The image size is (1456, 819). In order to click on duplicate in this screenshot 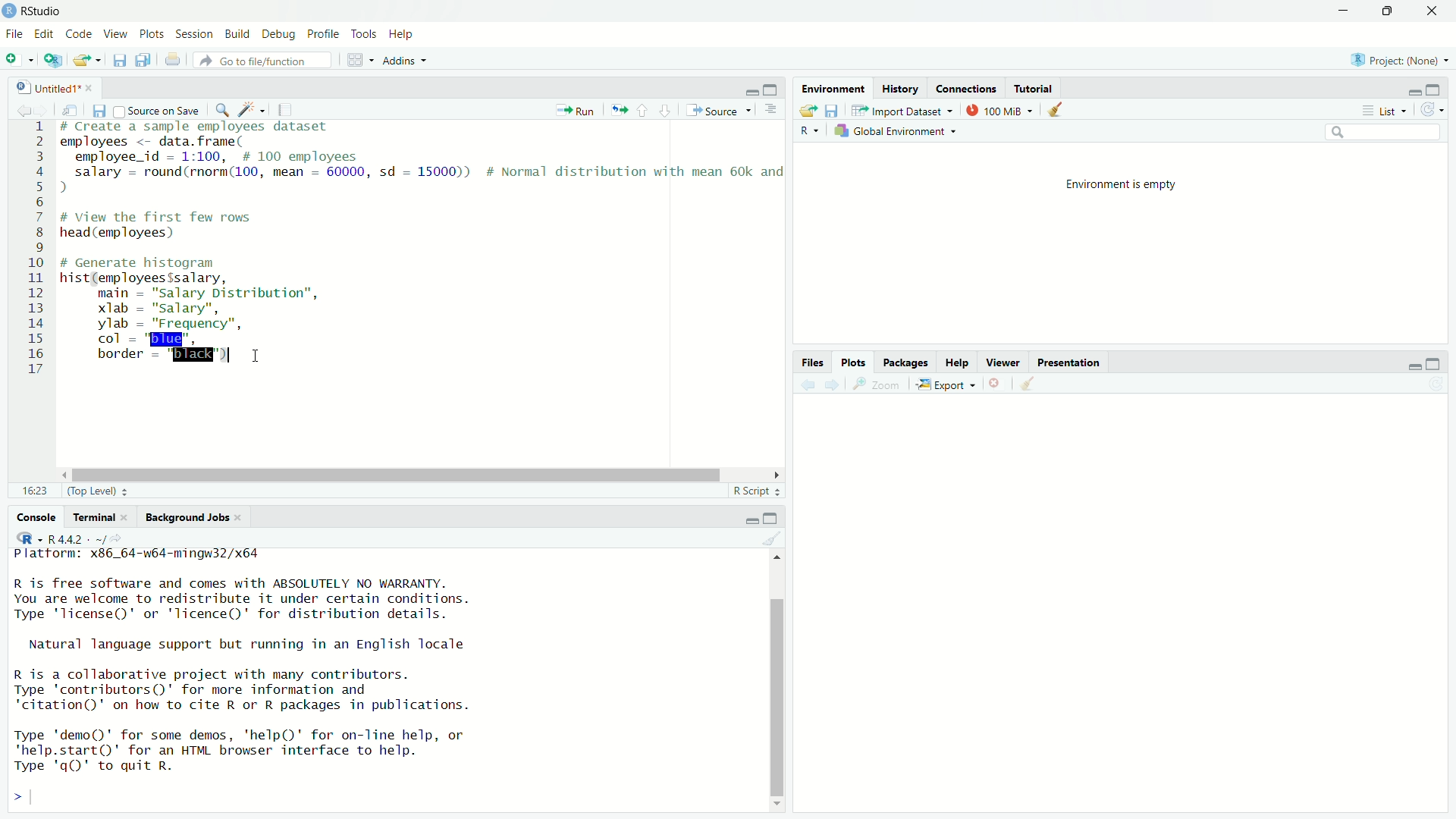, I will do `click(145, 60)`.